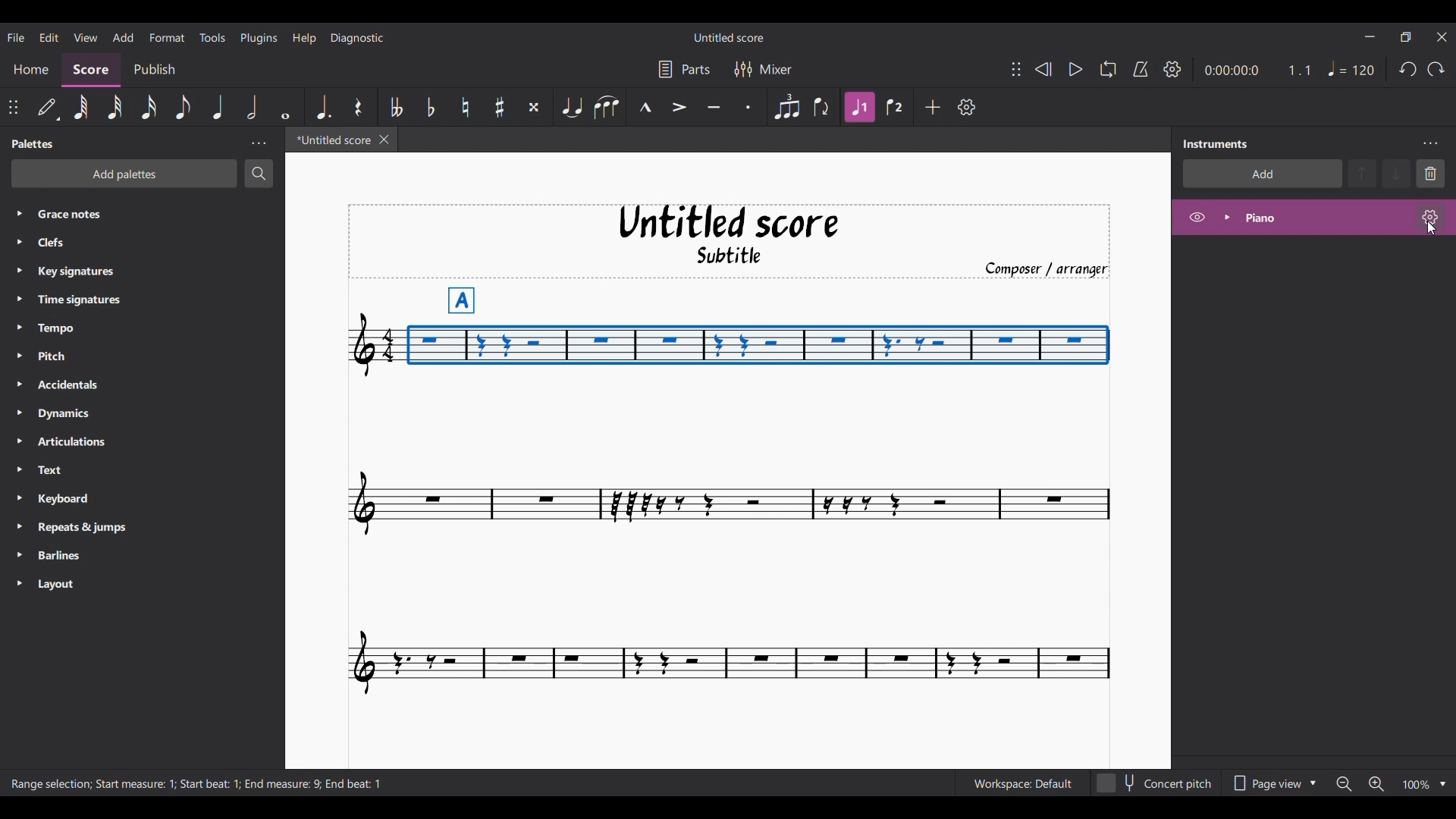  I want to click on Flip direction, so click(821, 107).